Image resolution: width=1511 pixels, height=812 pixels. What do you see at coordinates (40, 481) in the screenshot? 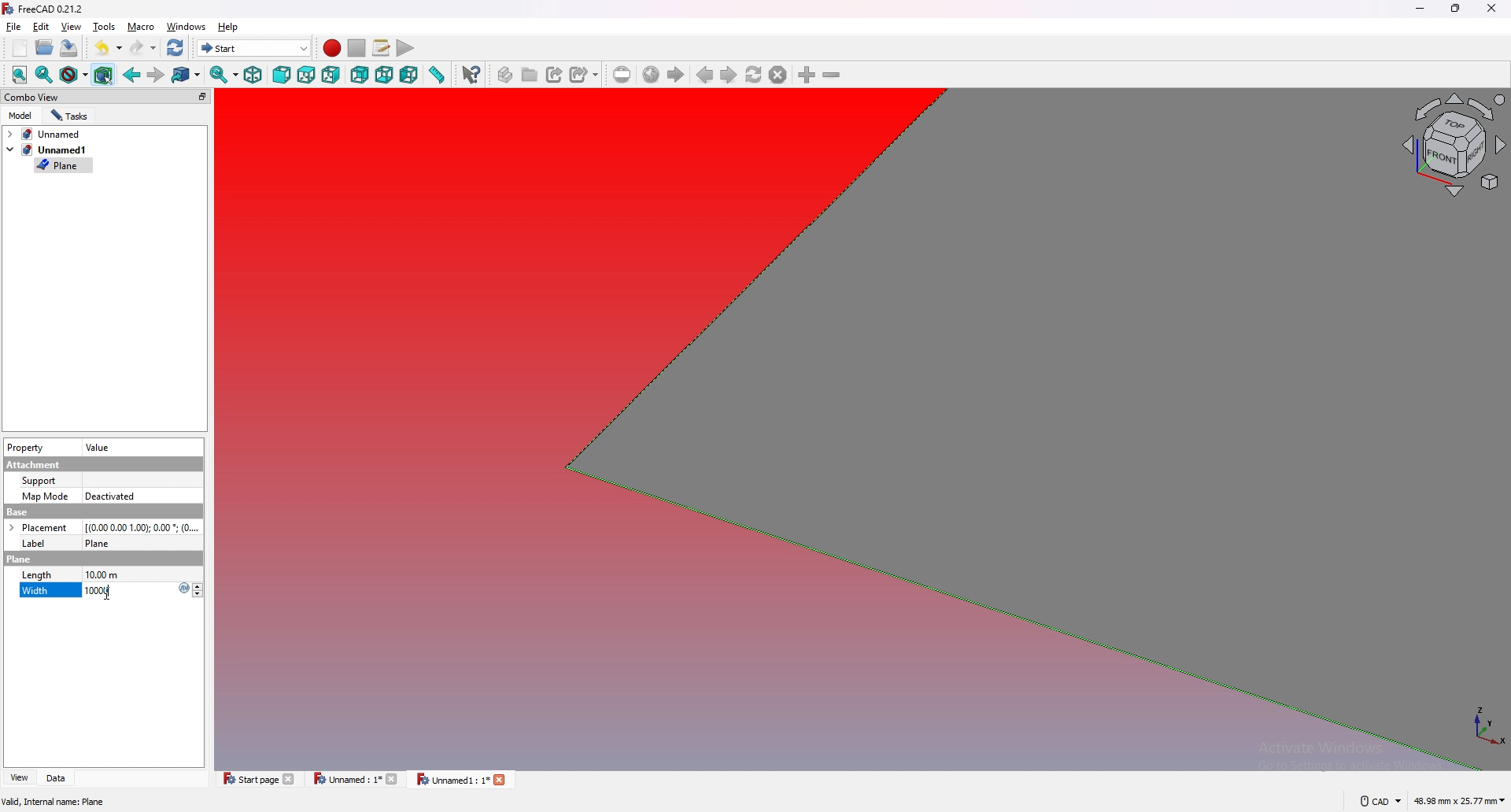
I see `Support` at bounding box center [40, 481].